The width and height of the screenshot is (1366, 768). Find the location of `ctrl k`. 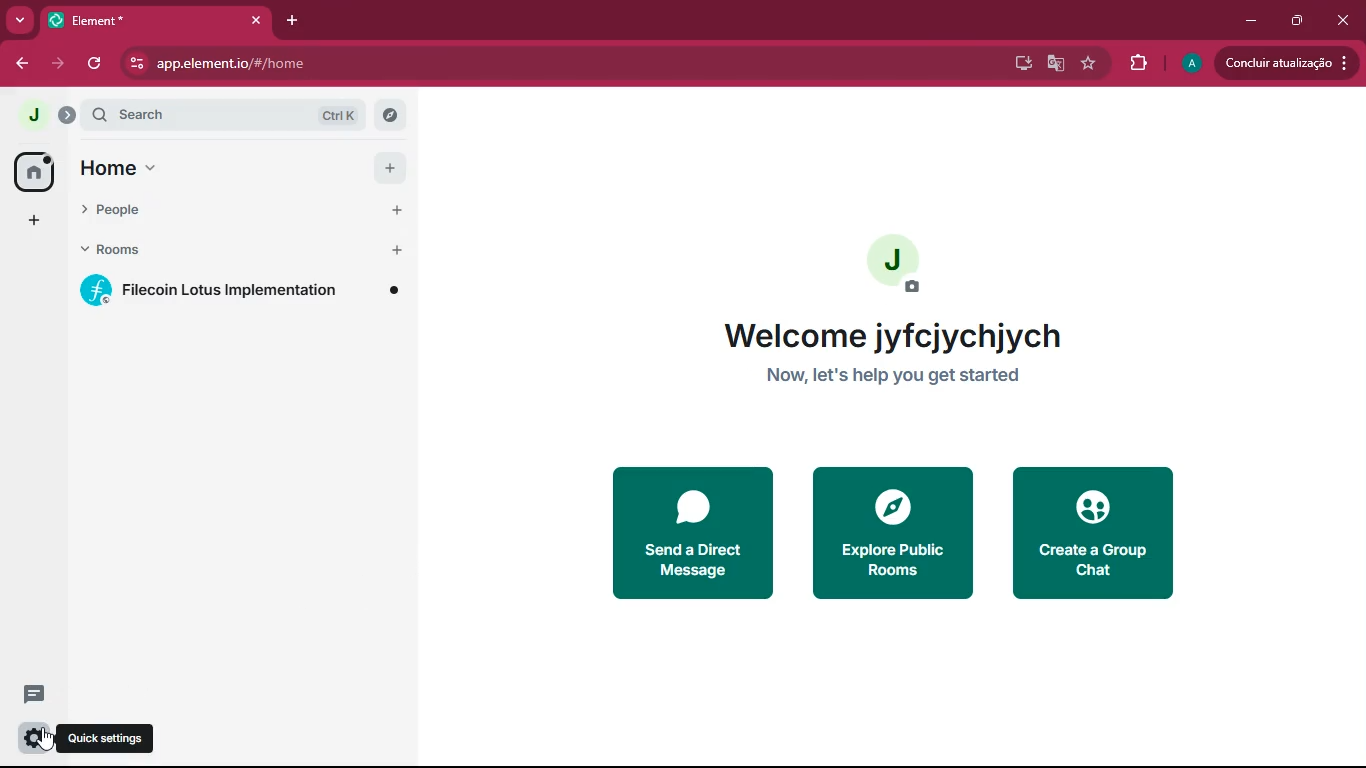

ctrl k is located at coordinates (334, 117).